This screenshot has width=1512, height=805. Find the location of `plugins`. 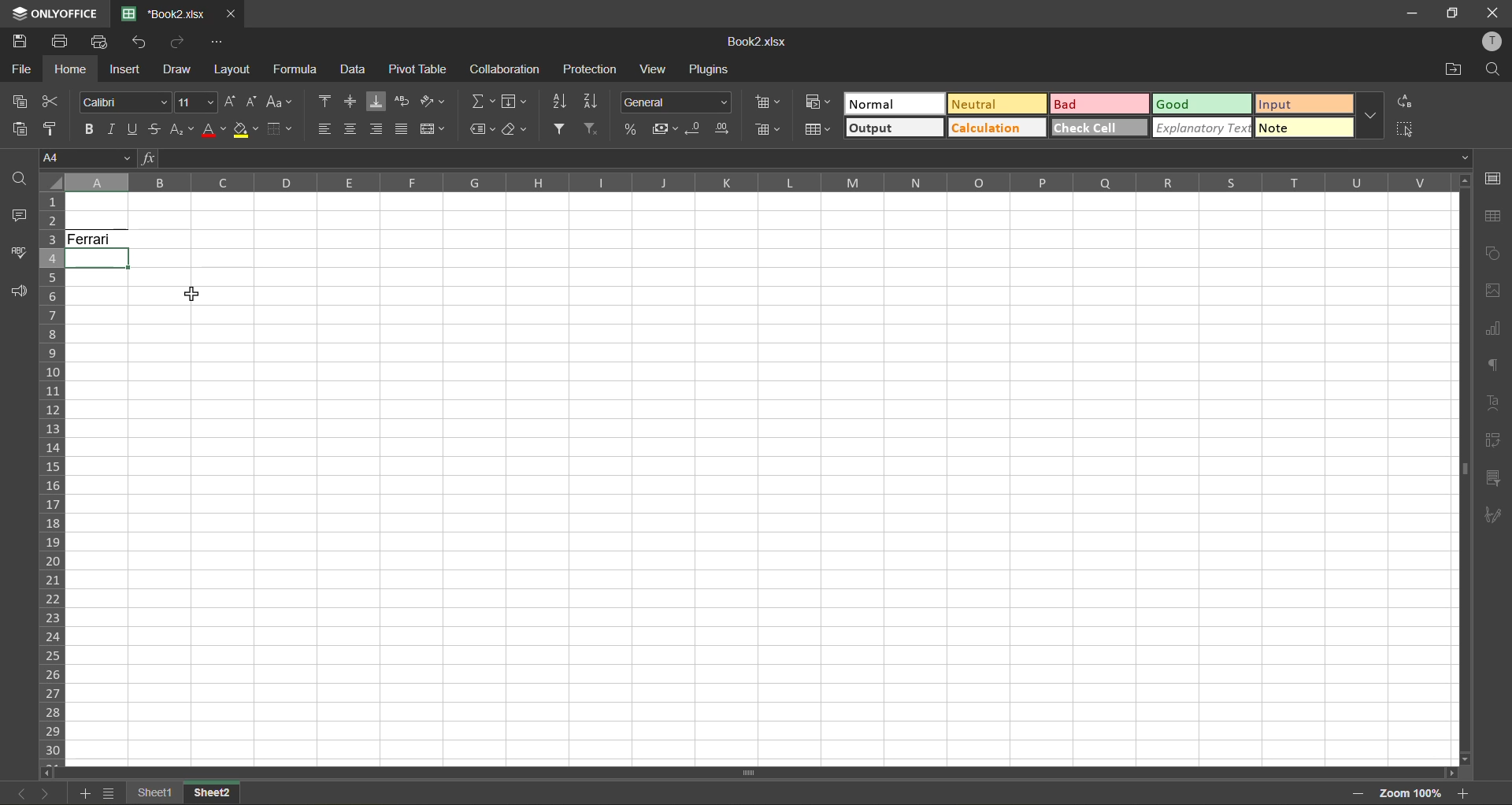

plugins is located at coordinates (709, 69).